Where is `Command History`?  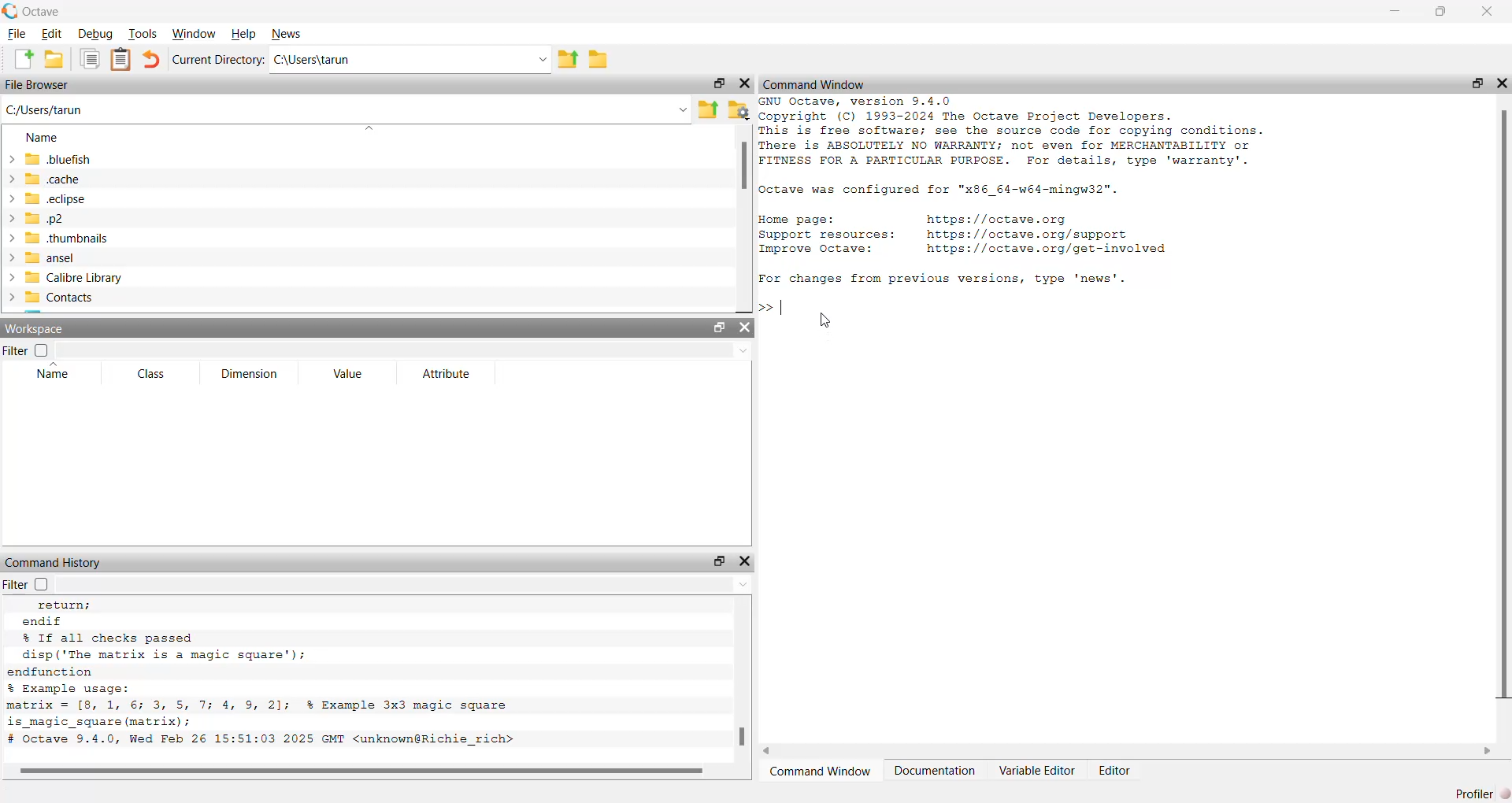 Command History is located at coordinates (55, 563).